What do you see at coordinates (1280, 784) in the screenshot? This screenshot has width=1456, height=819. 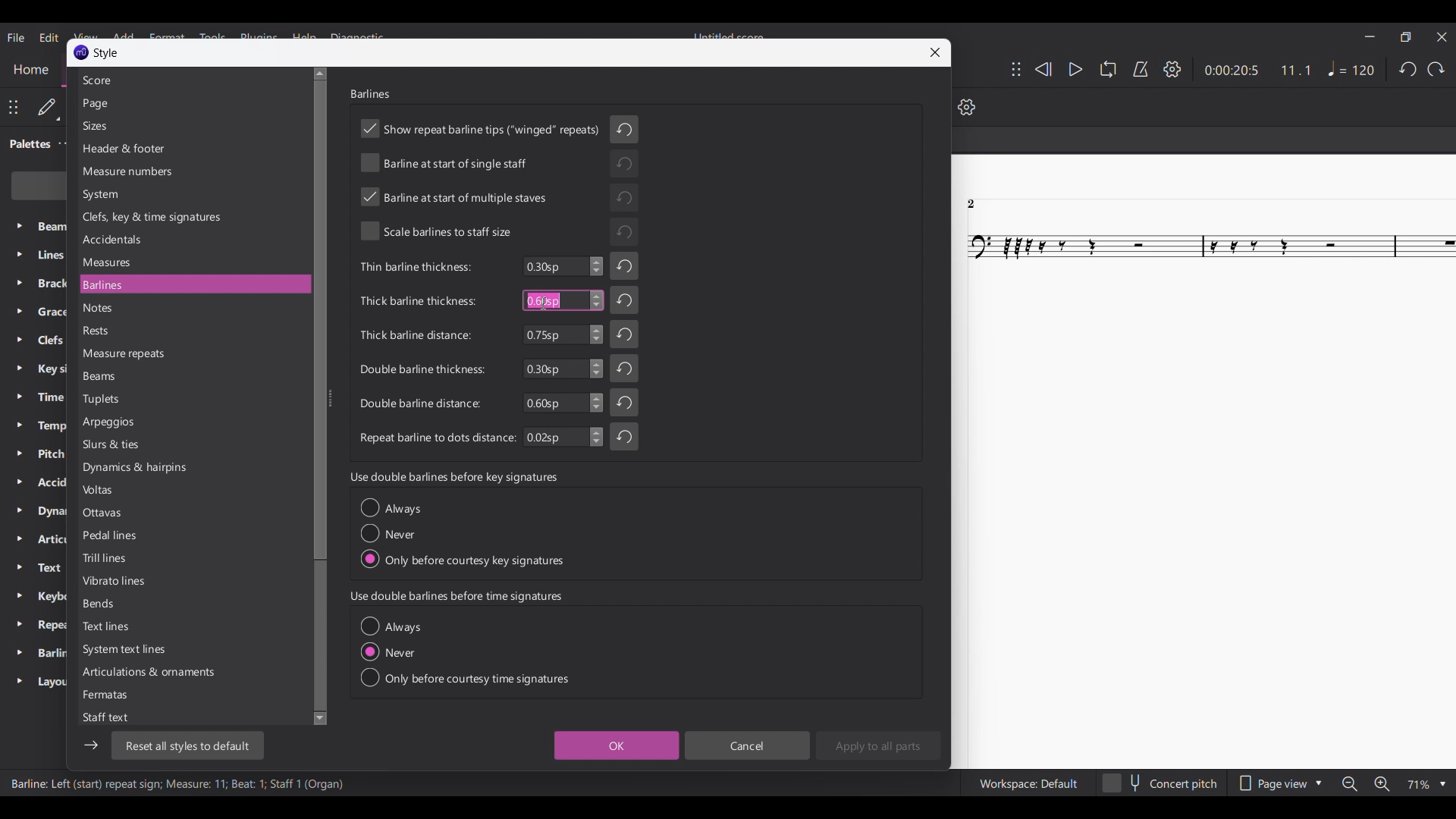 I see `Page view options` at bounding box center [1280, 784].